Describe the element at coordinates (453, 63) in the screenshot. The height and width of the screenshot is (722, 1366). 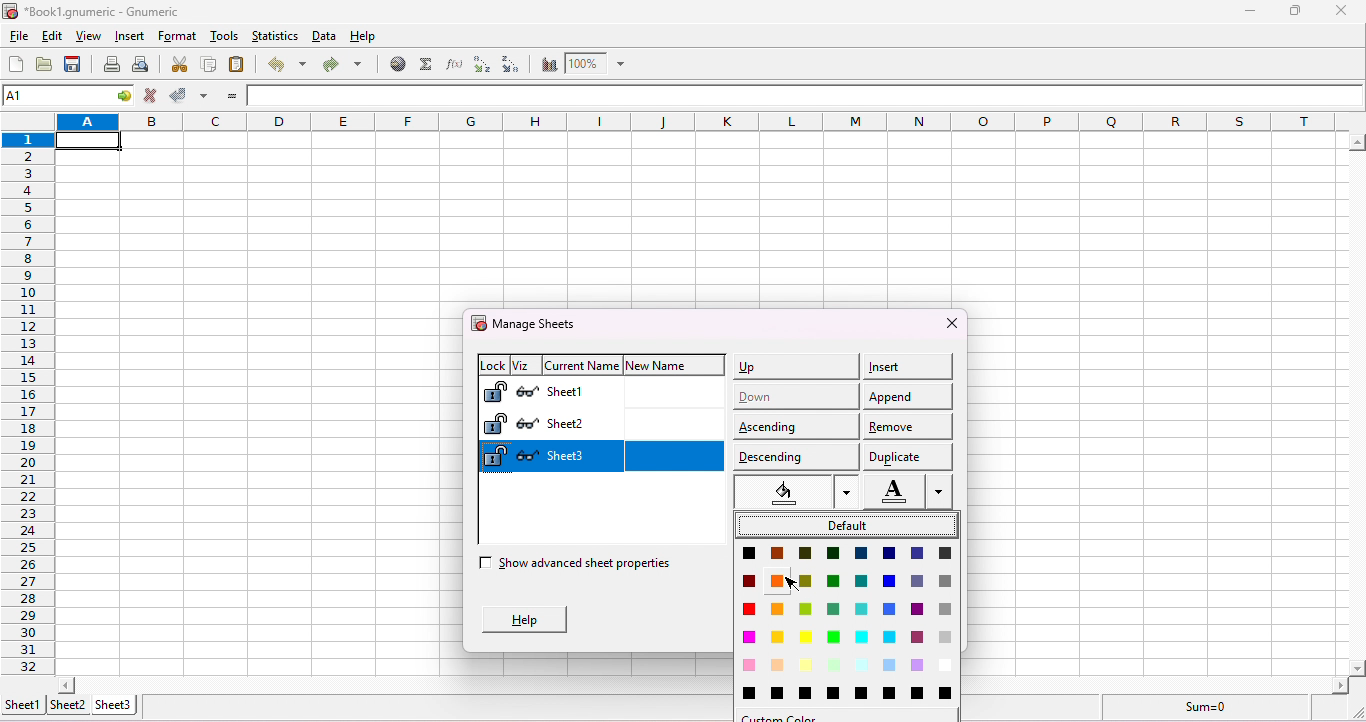
I see `edit a function in the current cell` at that location.